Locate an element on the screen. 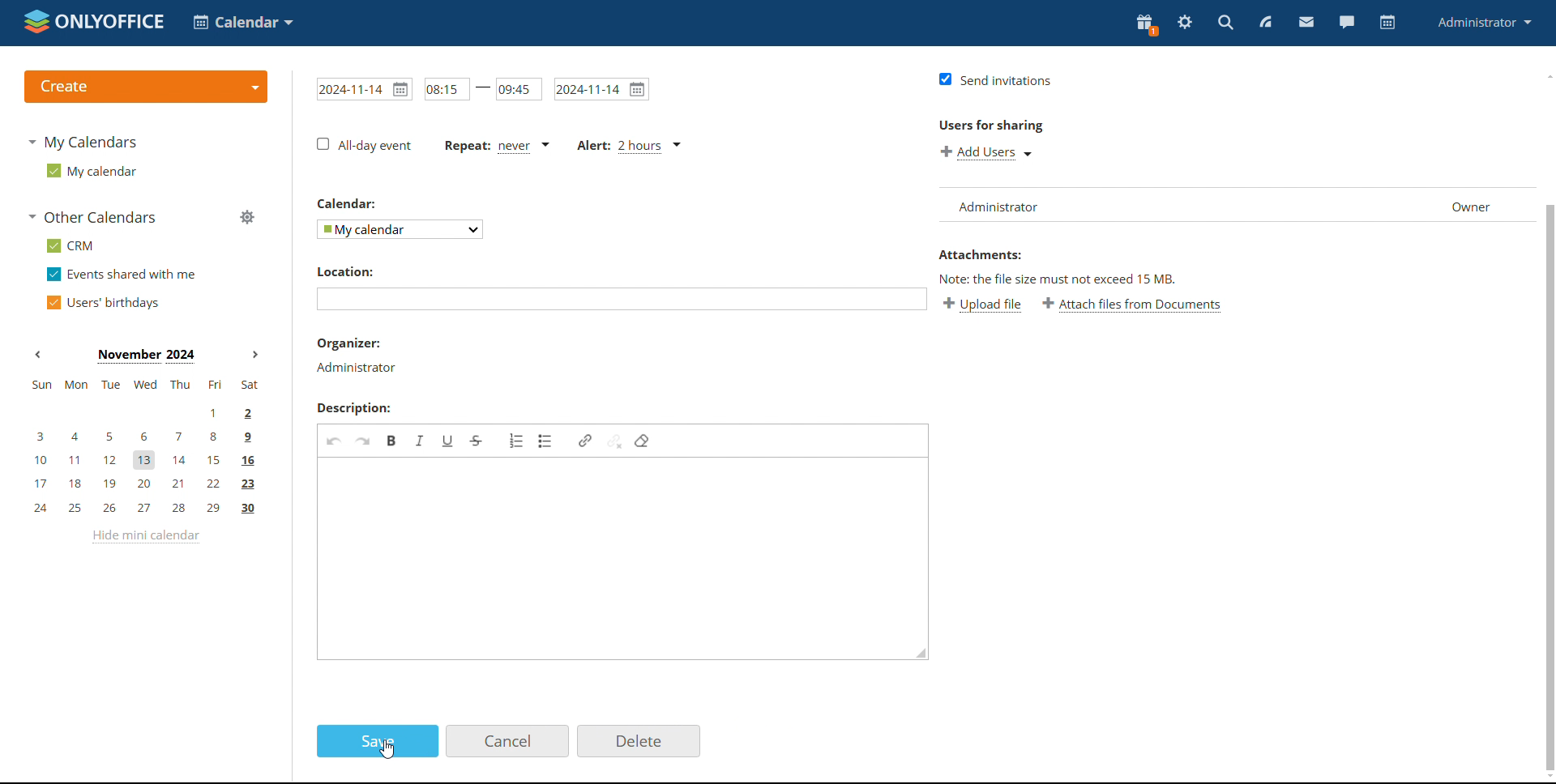 This screenshot has height=784, width=1556. insert/remove bulleted list is located at coordinates (543, 441).